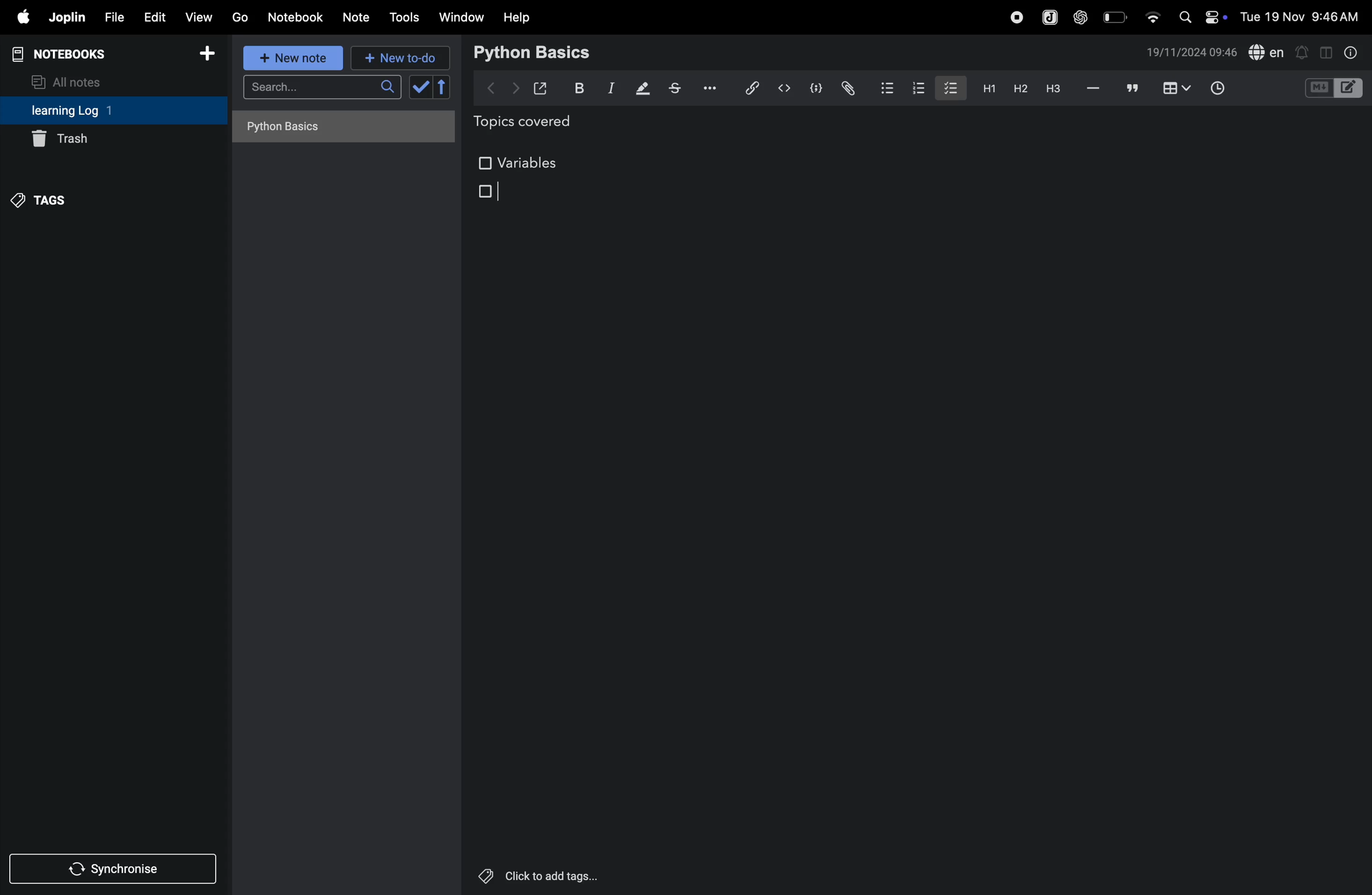  Describe the element at coordinates (395, 55) in the screenshot. I see `new to do` at that location.